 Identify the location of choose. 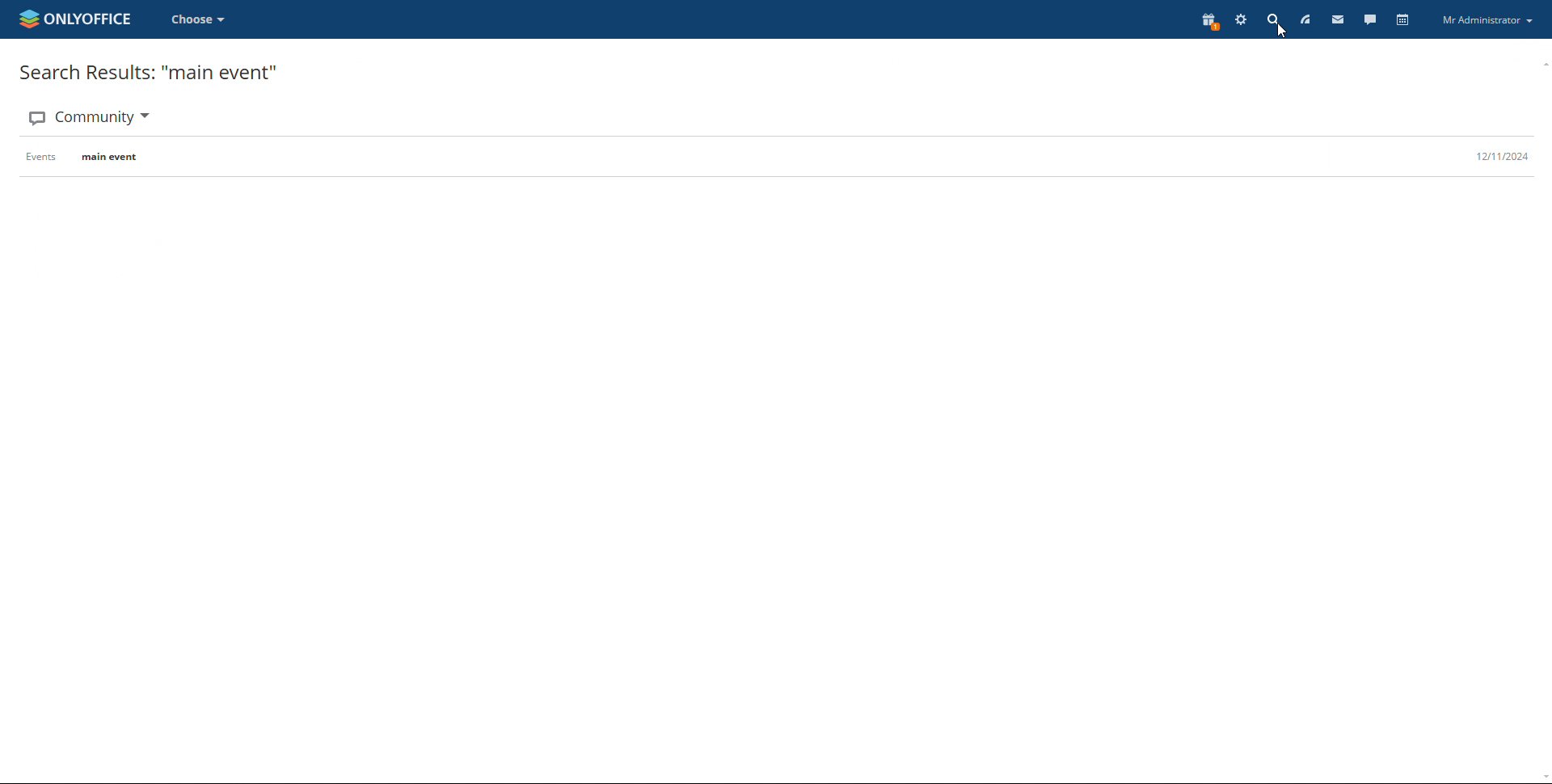
(197, 19).